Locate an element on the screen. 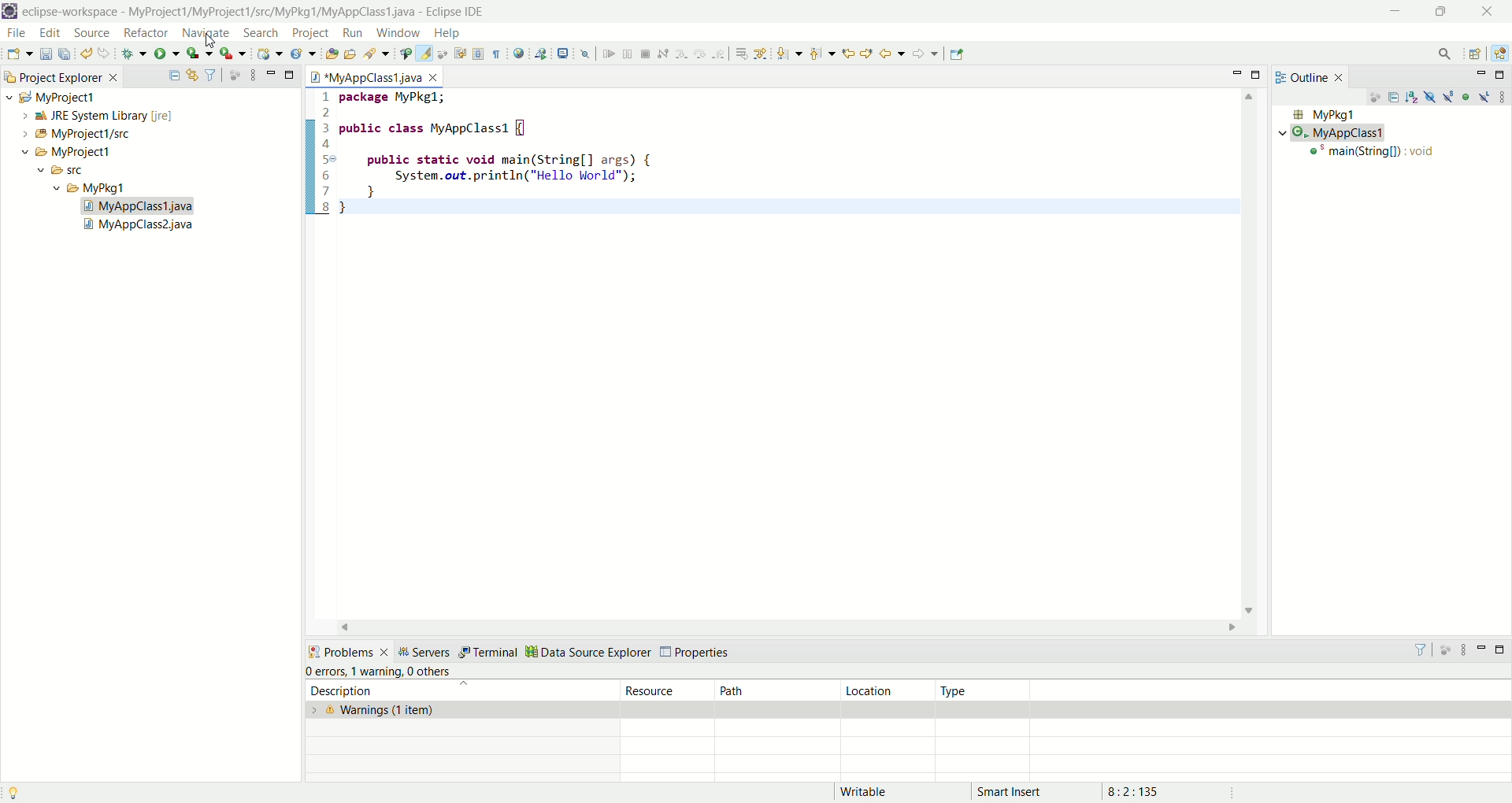  save all is located at coordinates (67, 54).